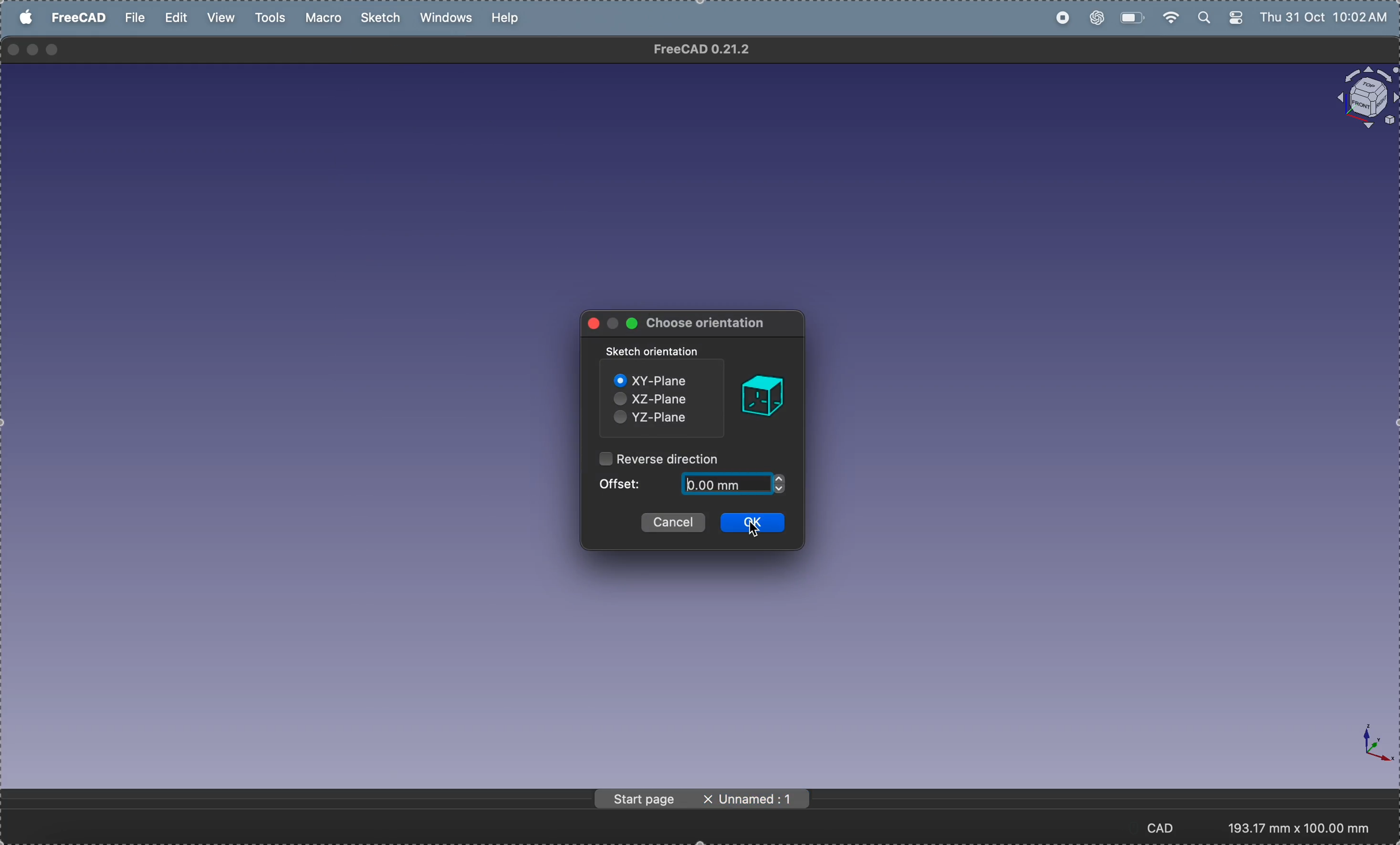 Image resolution: width=1400 pixels, height=845 pixels. Describe the element at coordinates (35, 50) in the screenshot. I see `minimize` at that location.